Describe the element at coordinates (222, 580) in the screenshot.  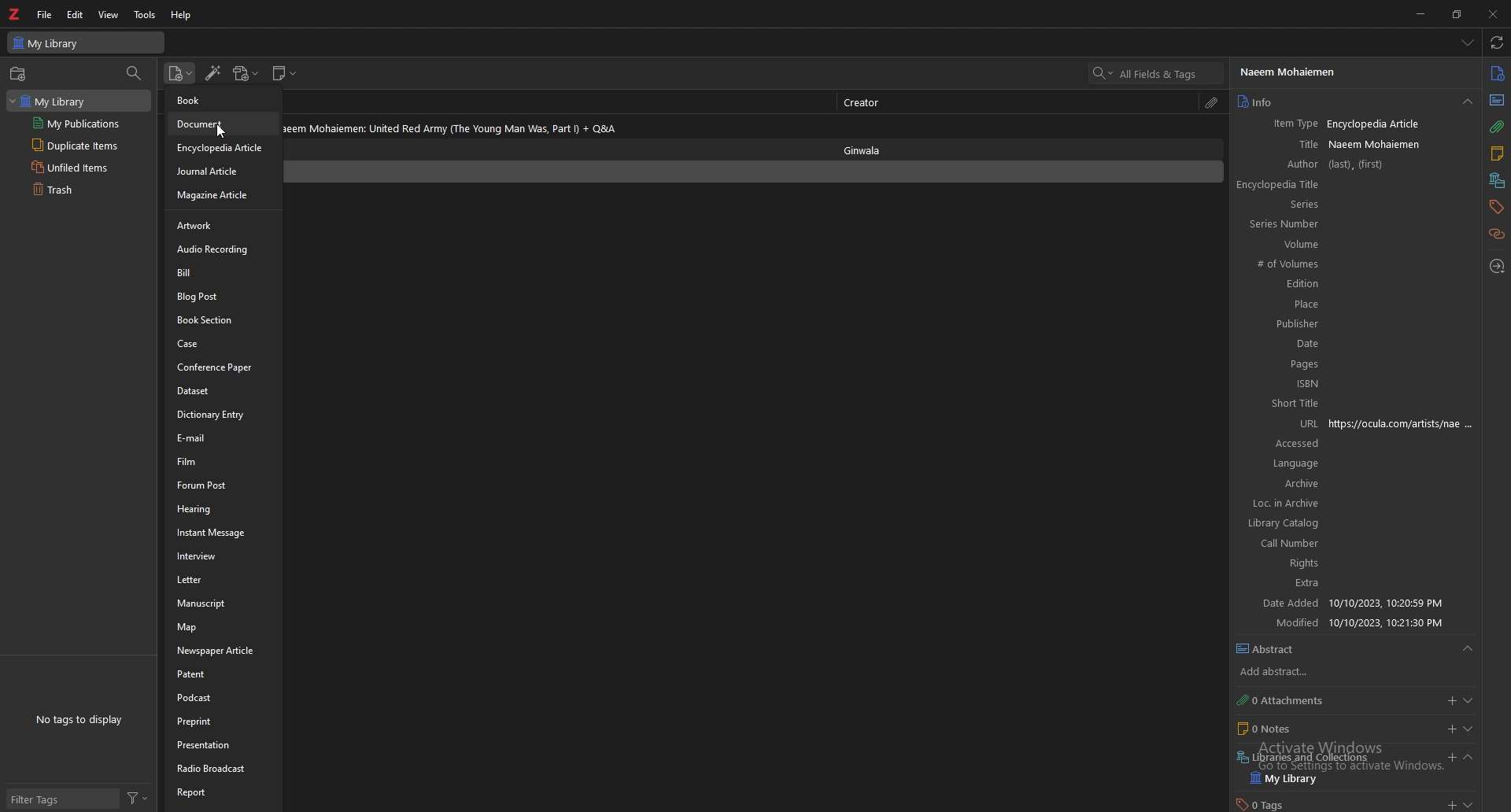
I see `letter` at that location.